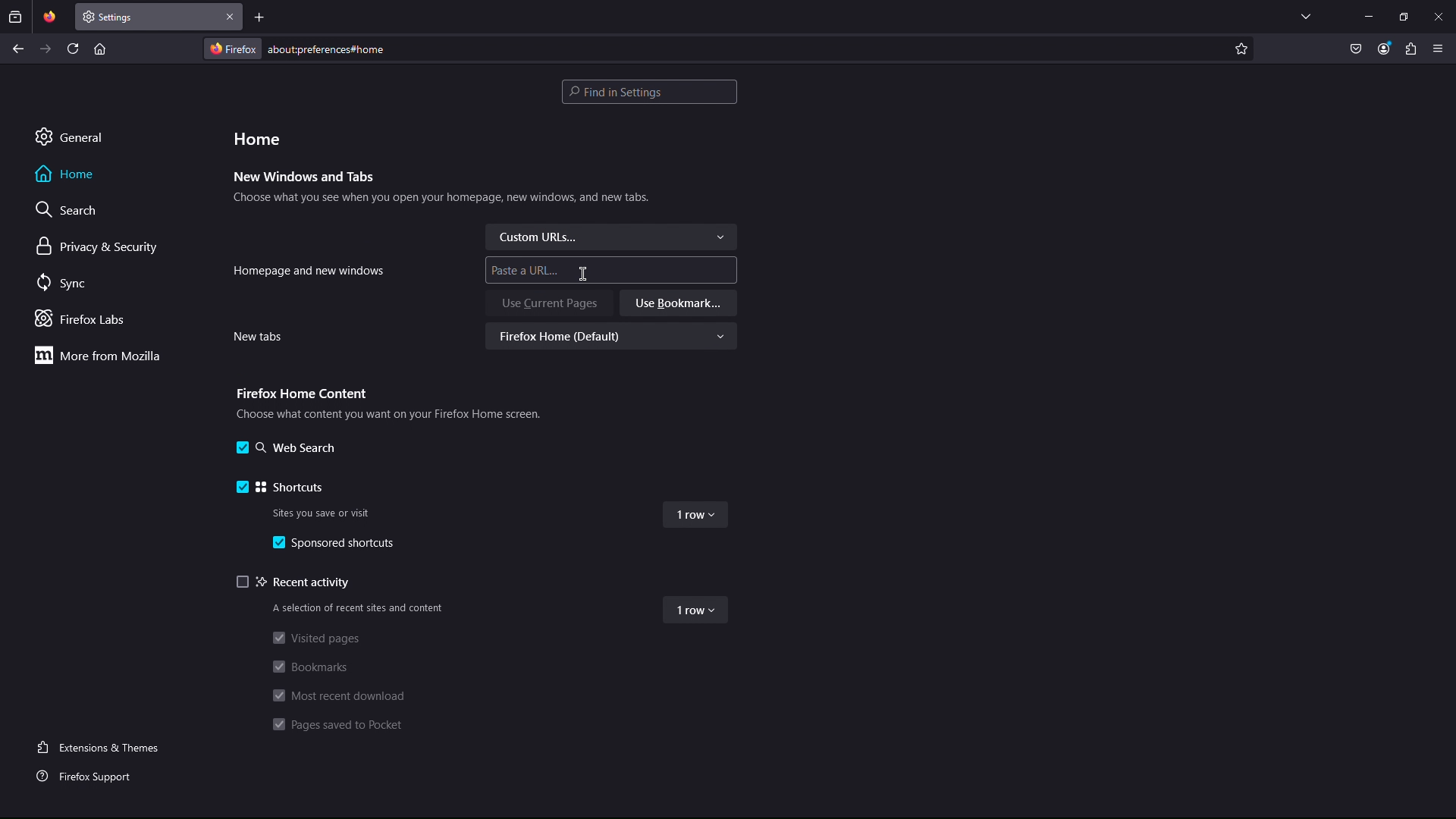 This screenshot has width=1456, height=819. I want to click on Visited pages, so click(314, 637).